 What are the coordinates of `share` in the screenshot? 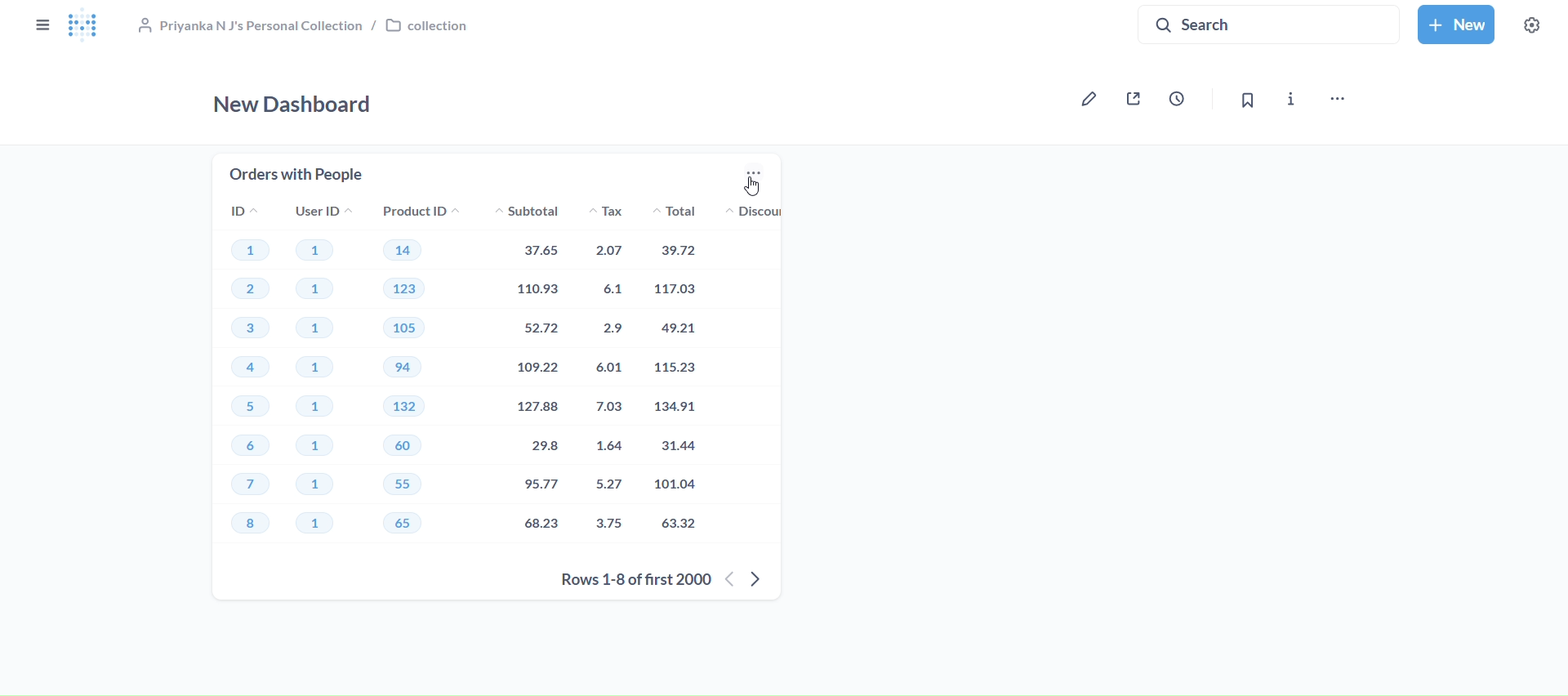 It's located at (1134, 99).